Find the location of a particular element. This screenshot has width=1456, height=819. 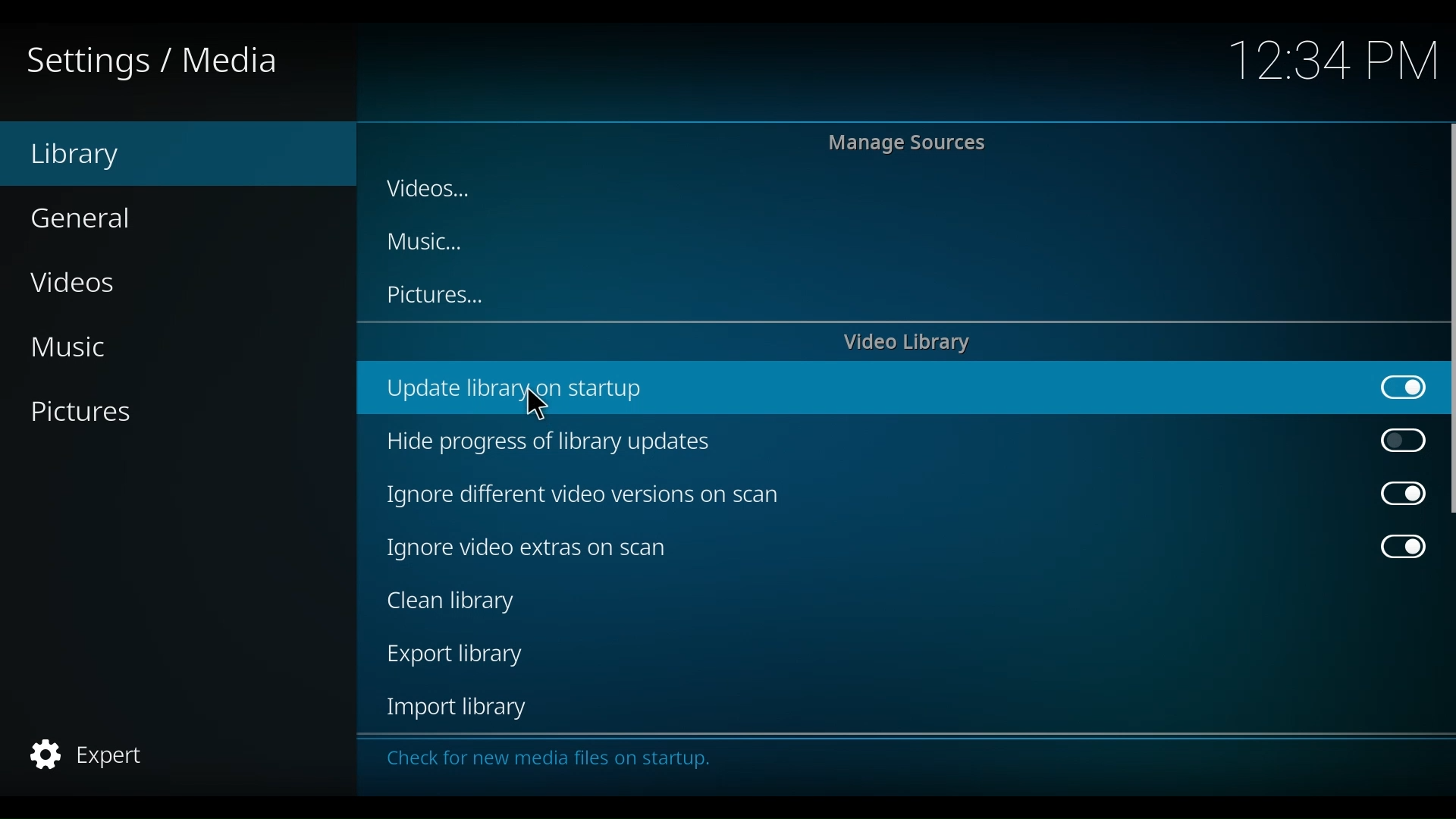

Settings/Media is located at coordinates (148, 64).